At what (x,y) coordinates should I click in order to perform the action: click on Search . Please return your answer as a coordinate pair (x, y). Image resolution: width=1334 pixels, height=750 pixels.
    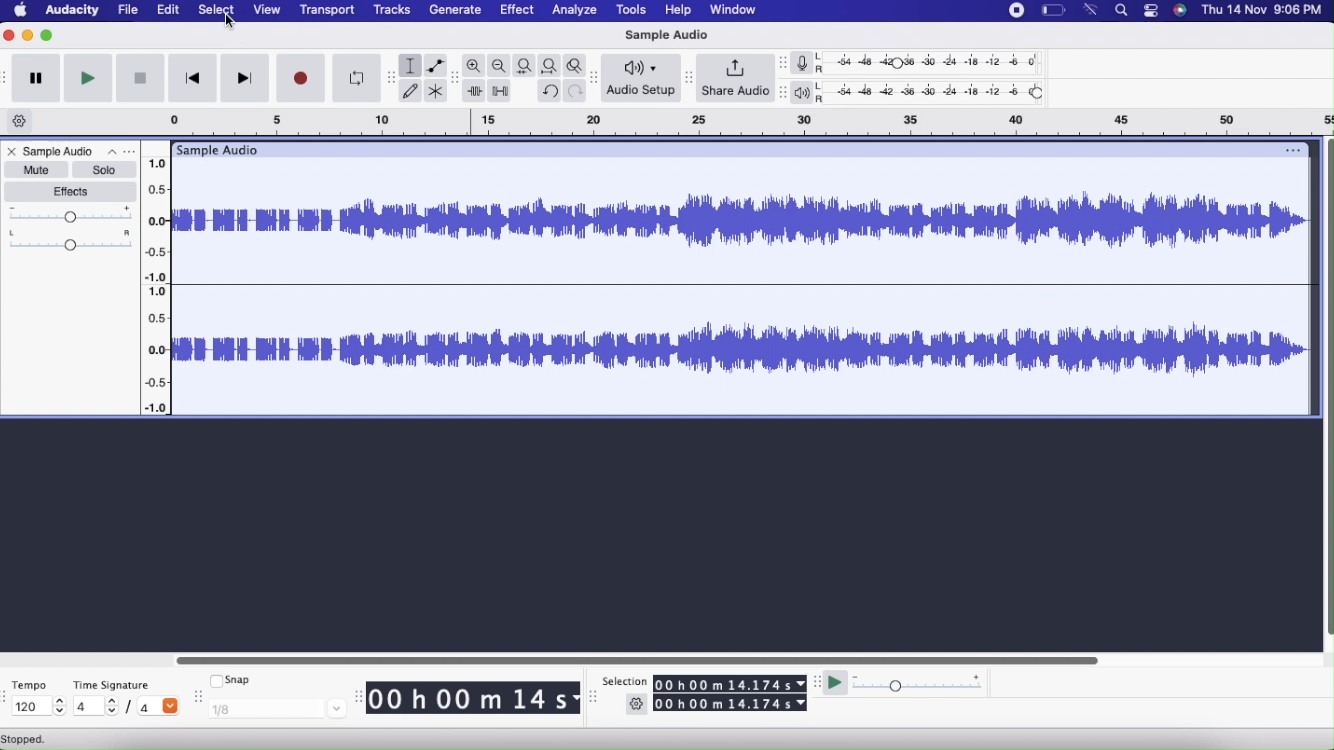
    Looking at the image, I should click on (1125, 11).